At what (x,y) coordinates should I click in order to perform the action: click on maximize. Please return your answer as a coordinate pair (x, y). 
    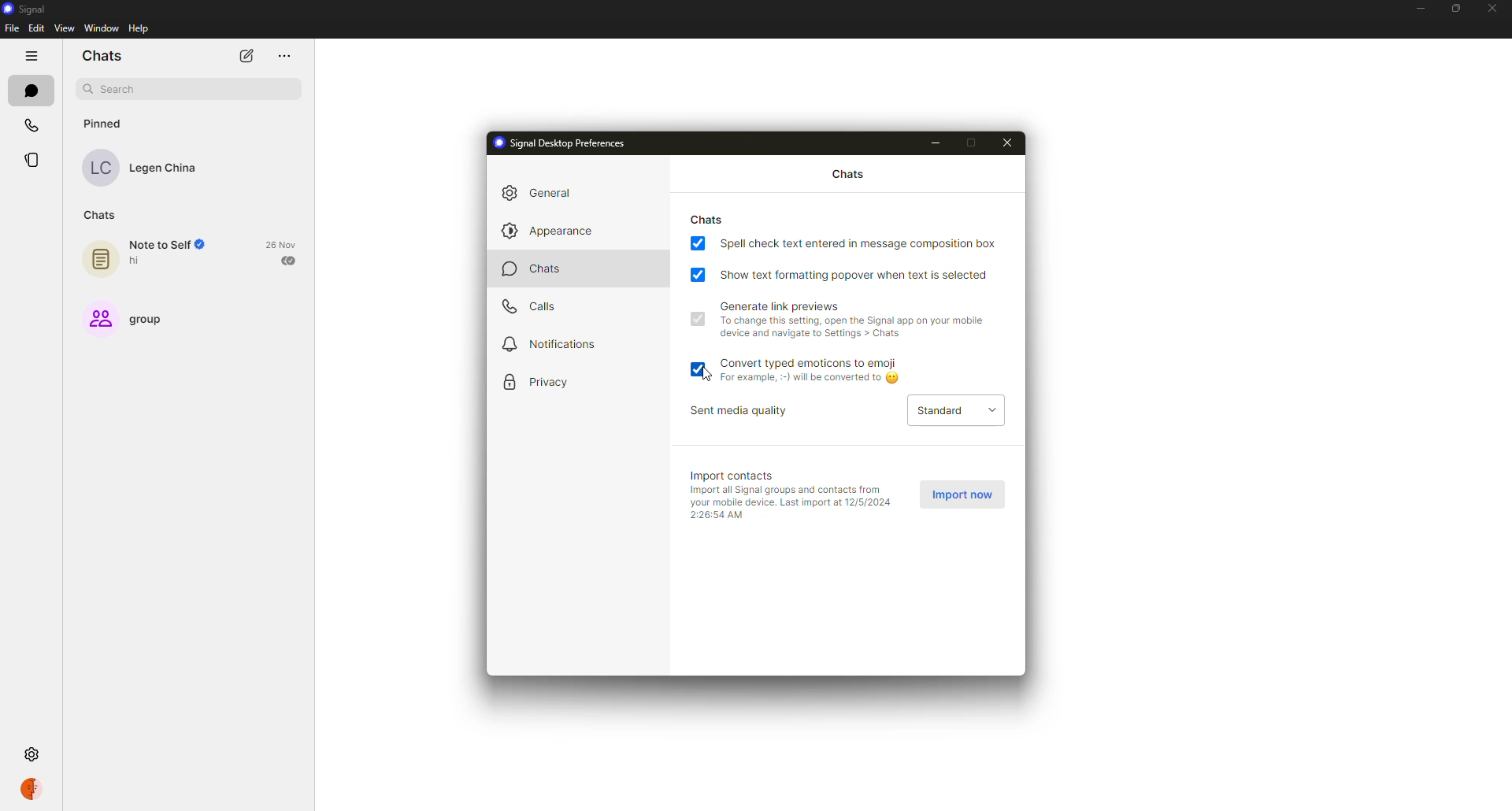
    Looking at the image, I should click on (975, 142).